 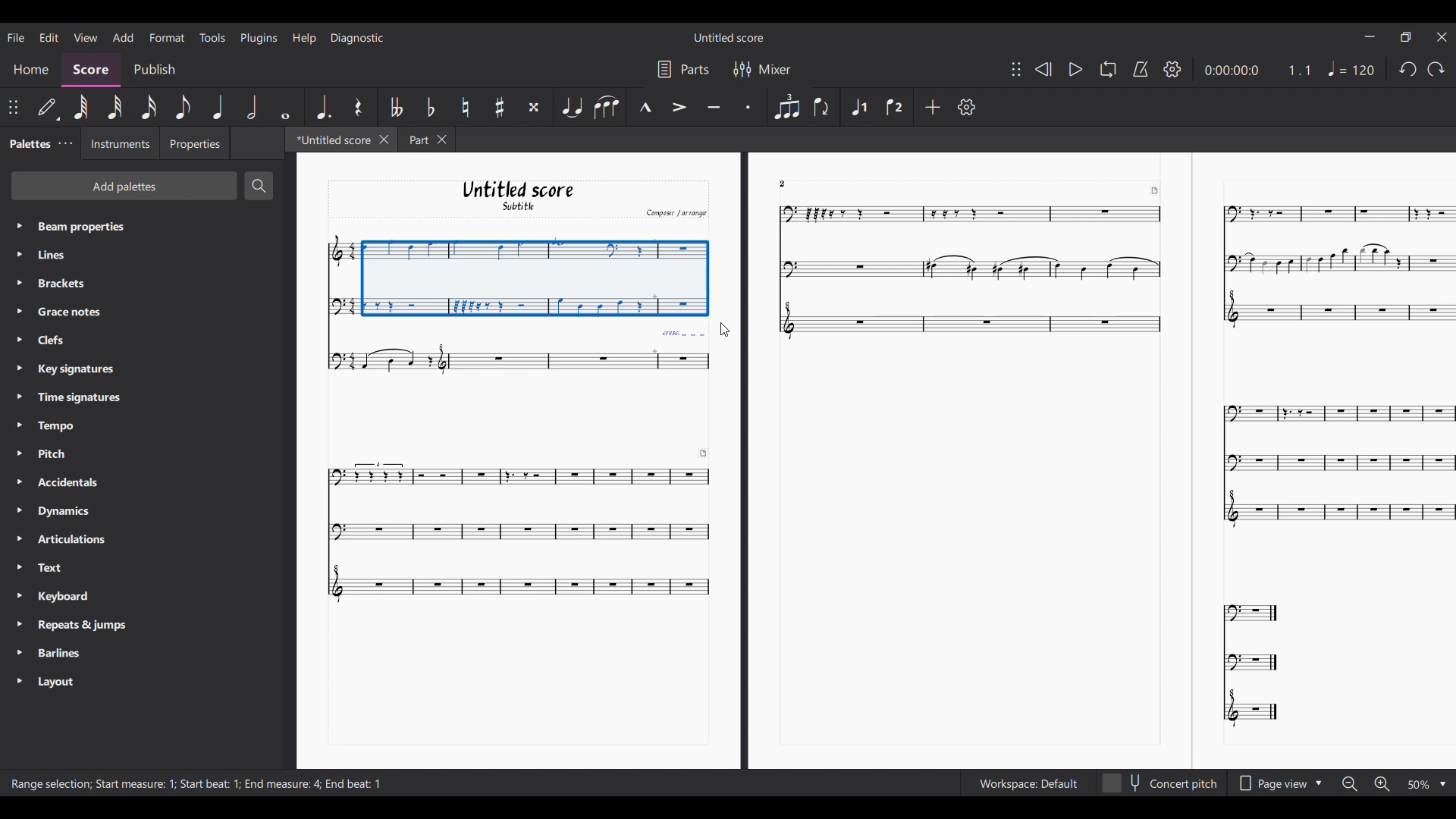 I want to click on Repeats & Jumps, so click(x=82, y=626).